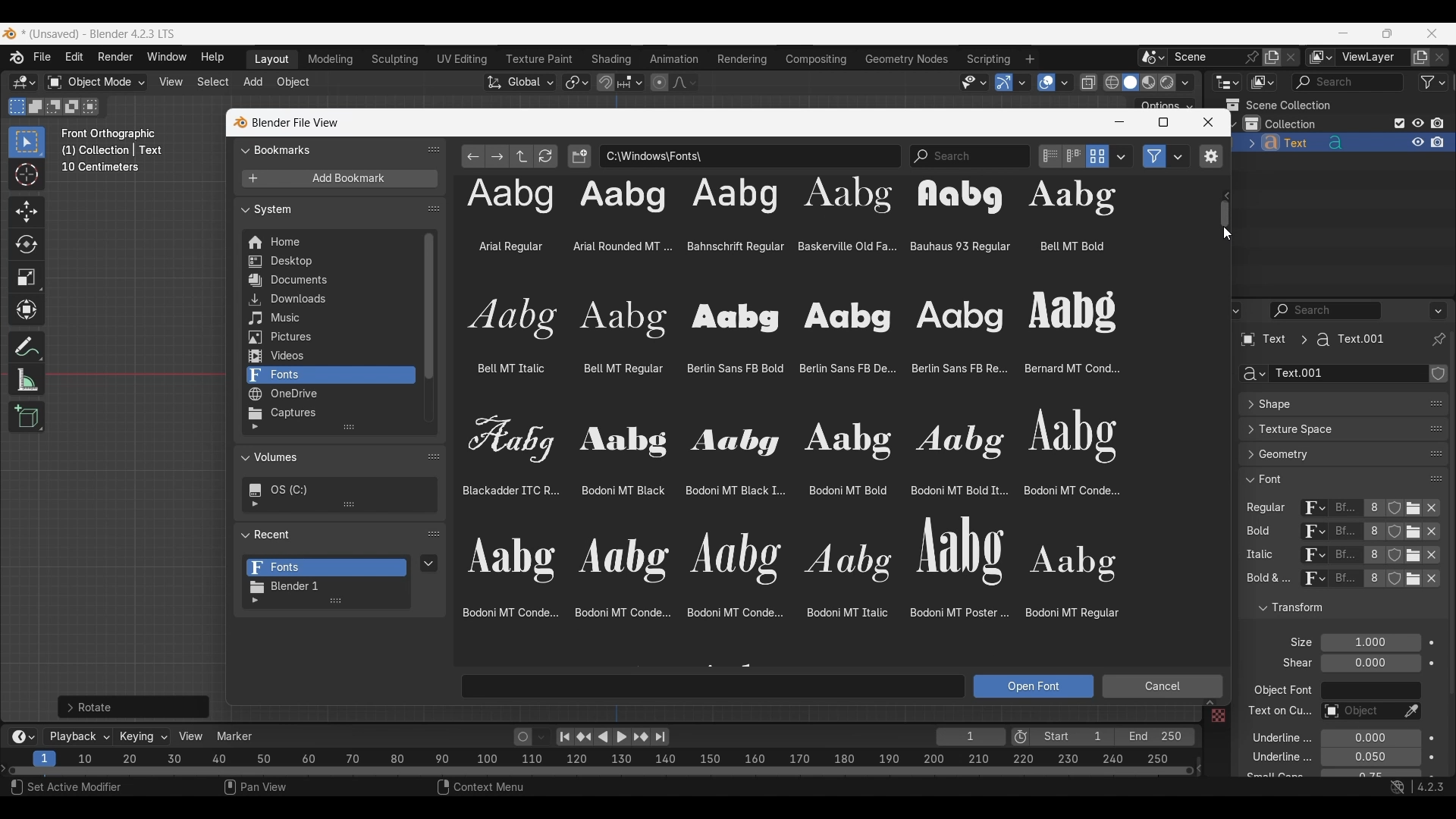 The image size is (1456, 819). What do you see at coordinates (1434, 455) in the screenshot?
I see `change position` at bounding box center [1434, 455].